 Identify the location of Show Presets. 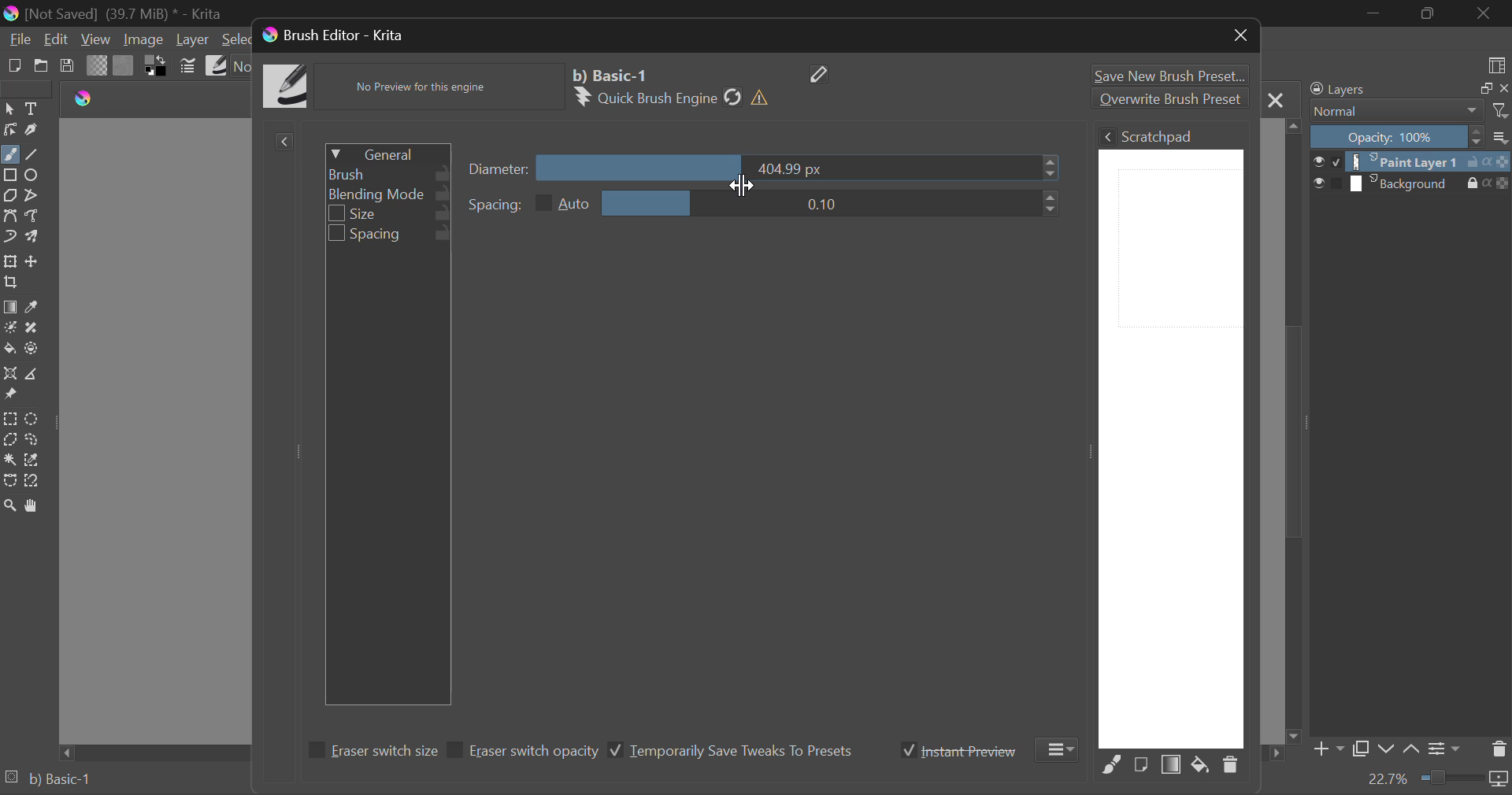
(283, 142).